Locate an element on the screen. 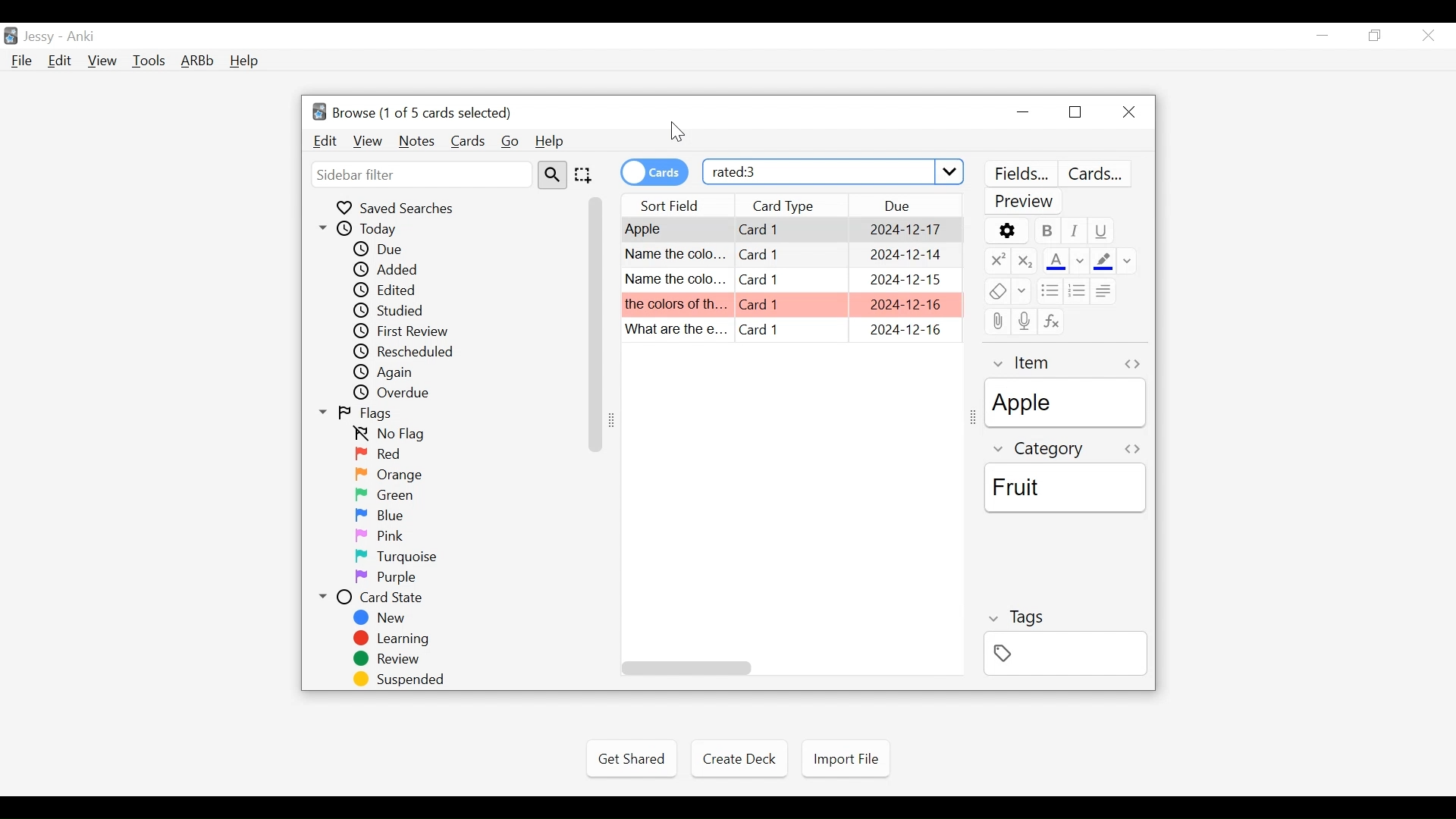 The image size is (1456, 819). Close is located at coordinates (1426, 35).